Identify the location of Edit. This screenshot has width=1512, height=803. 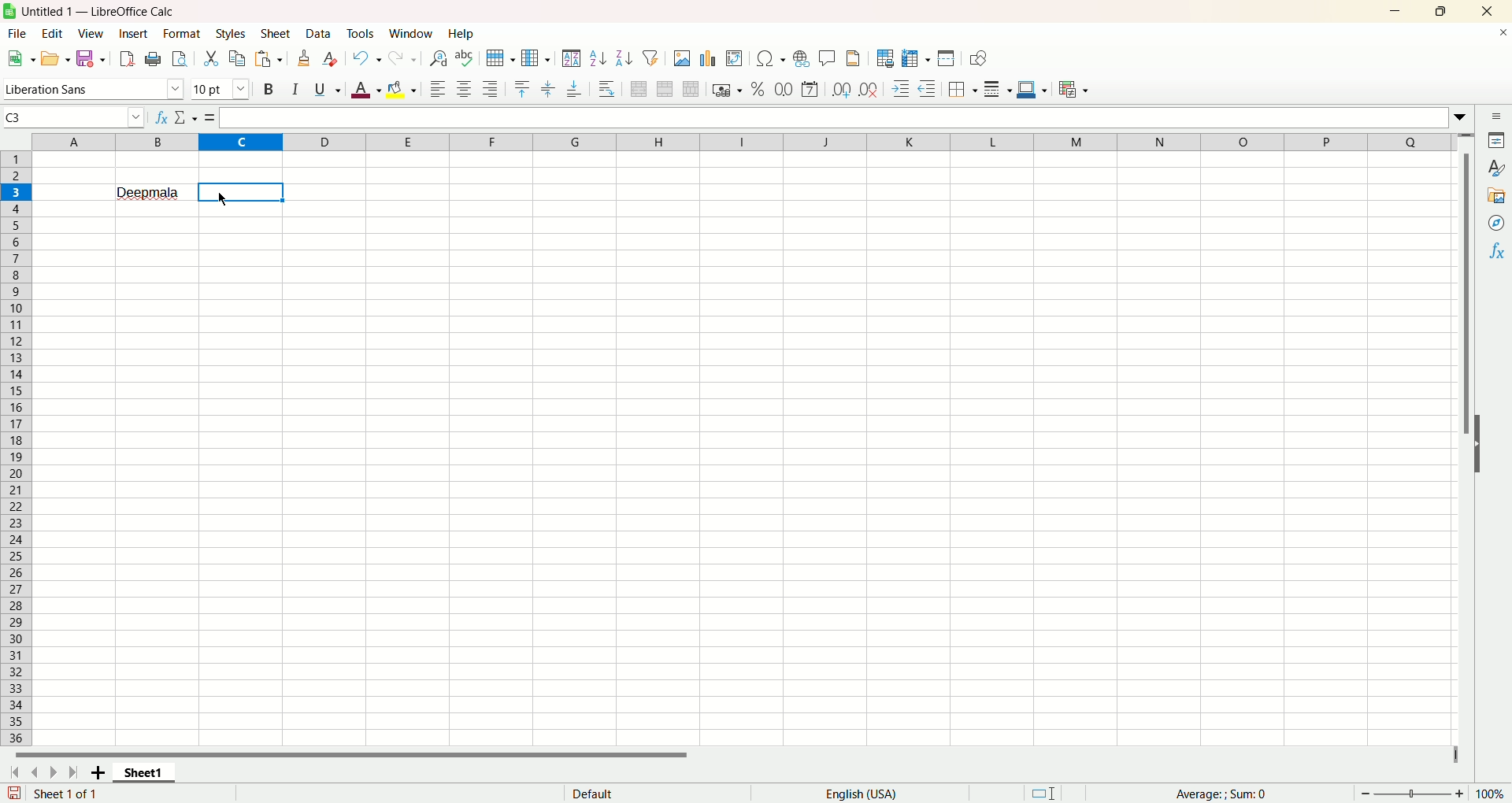
(56, 33).